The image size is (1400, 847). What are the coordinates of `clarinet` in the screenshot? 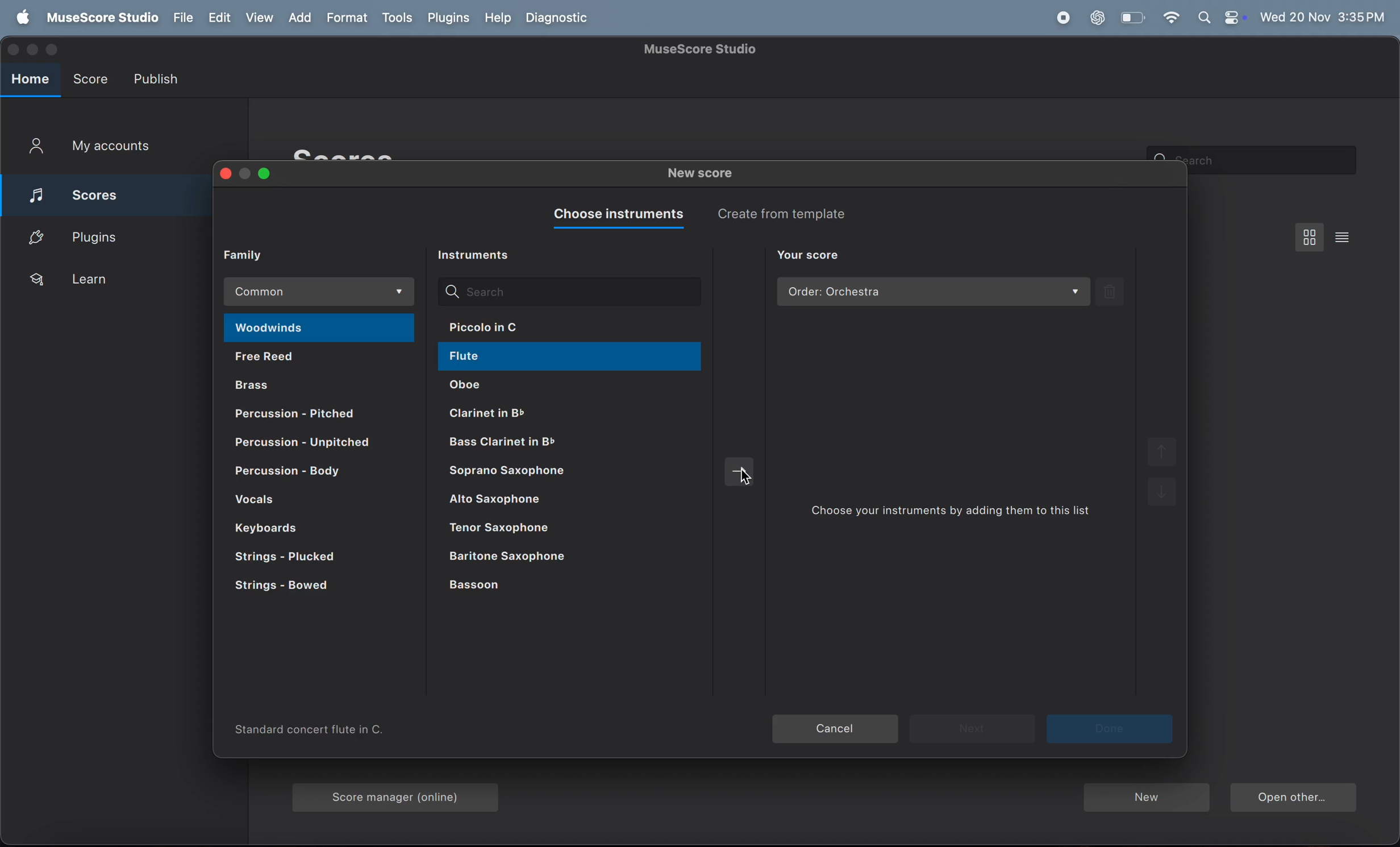 It's located at (542, 412).